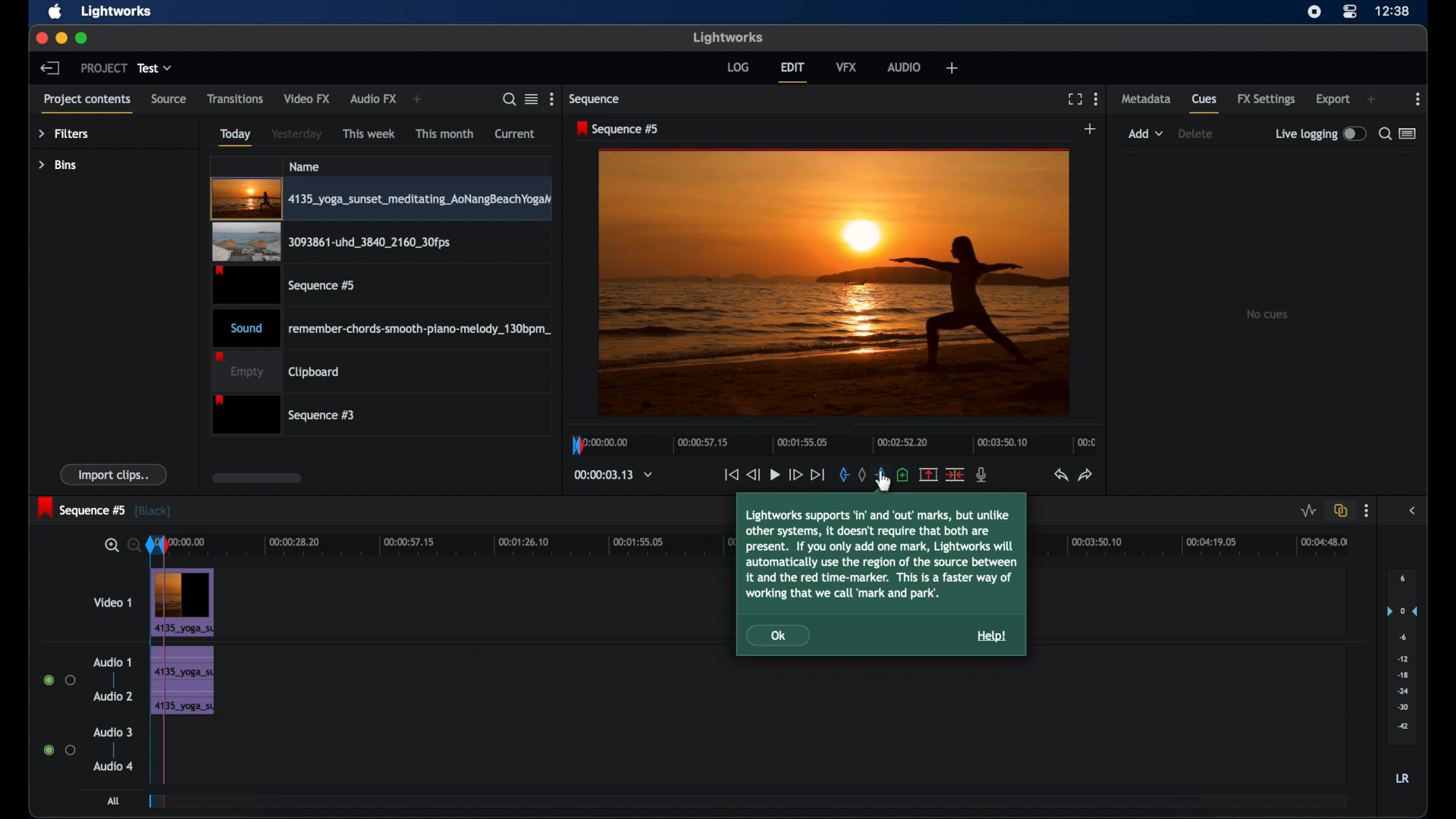 The image size is (1456, 819). Describe the element at coordinates (82, 38) in the screenshot. I see `maximize` at that location.